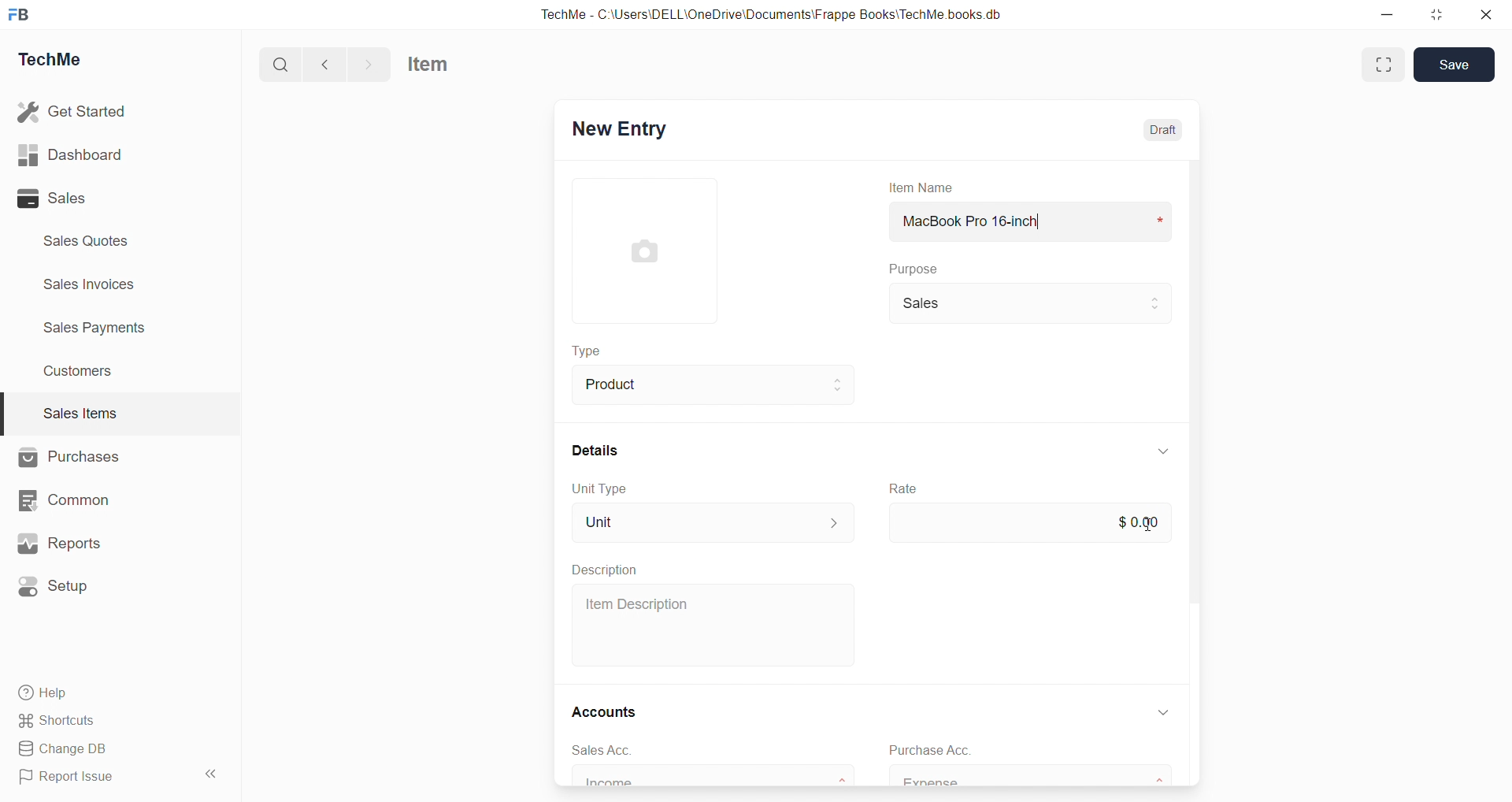 Image resolution: width=1512 pixels, height=802 pixels. Describe the element at coordinates (713, 522) in the screenshot. I see `Unit` at that location.